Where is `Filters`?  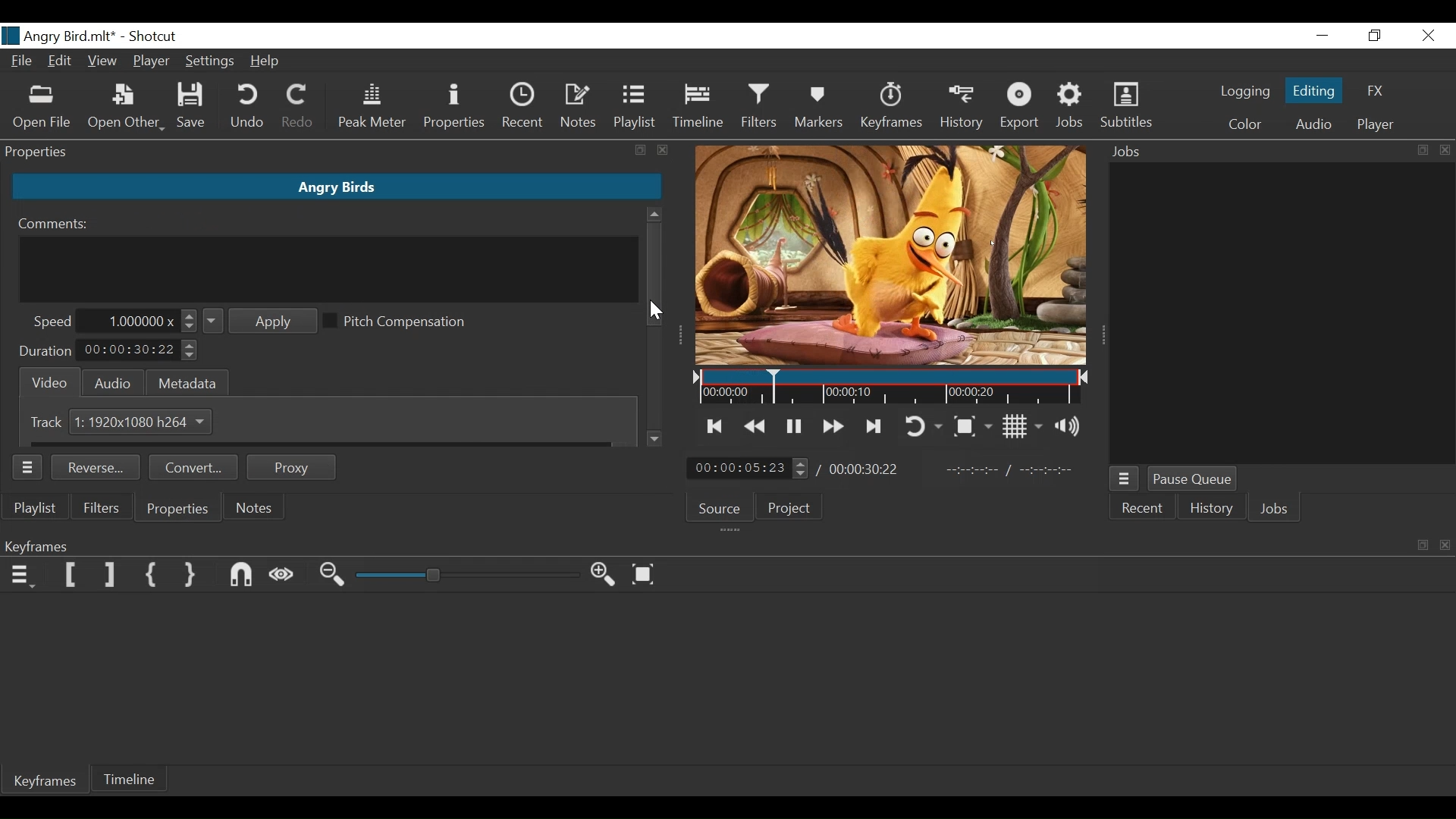 Filters is located at coordinates (99, 507).